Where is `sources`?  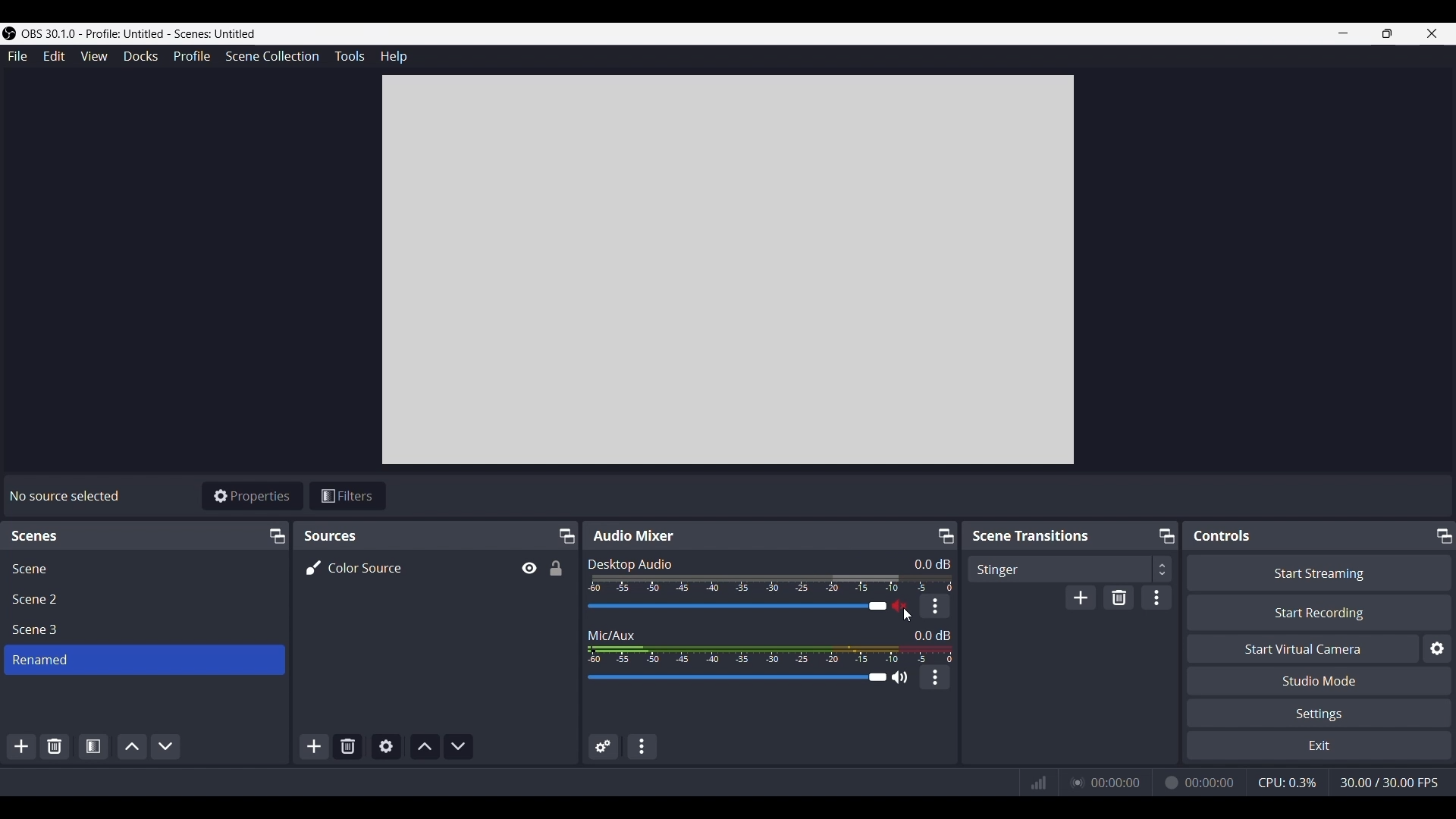 sources is located at coordinates (342, 535).